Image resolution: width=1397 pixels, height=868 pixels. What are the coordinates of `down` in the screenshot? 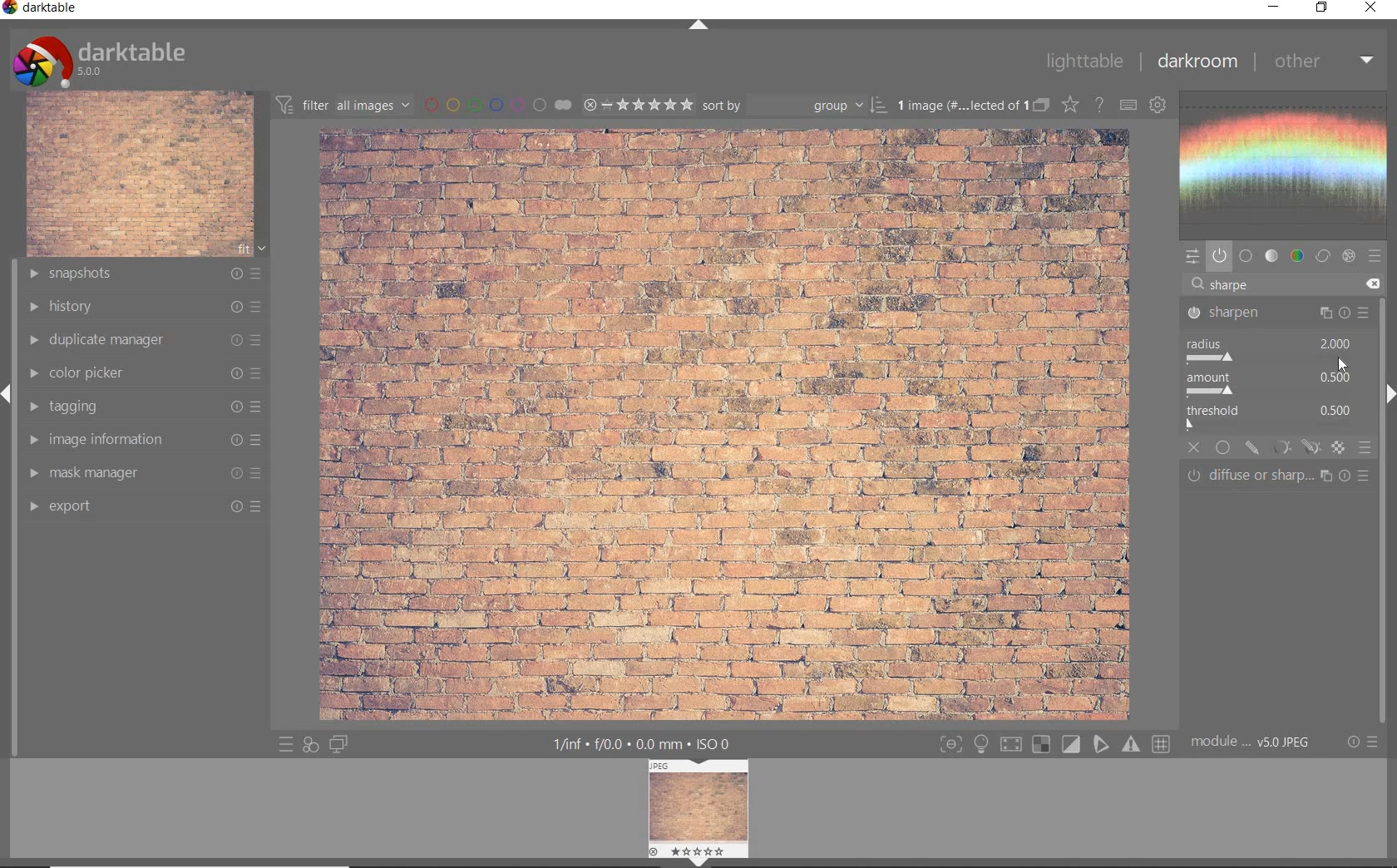 It's located at (698, 862).